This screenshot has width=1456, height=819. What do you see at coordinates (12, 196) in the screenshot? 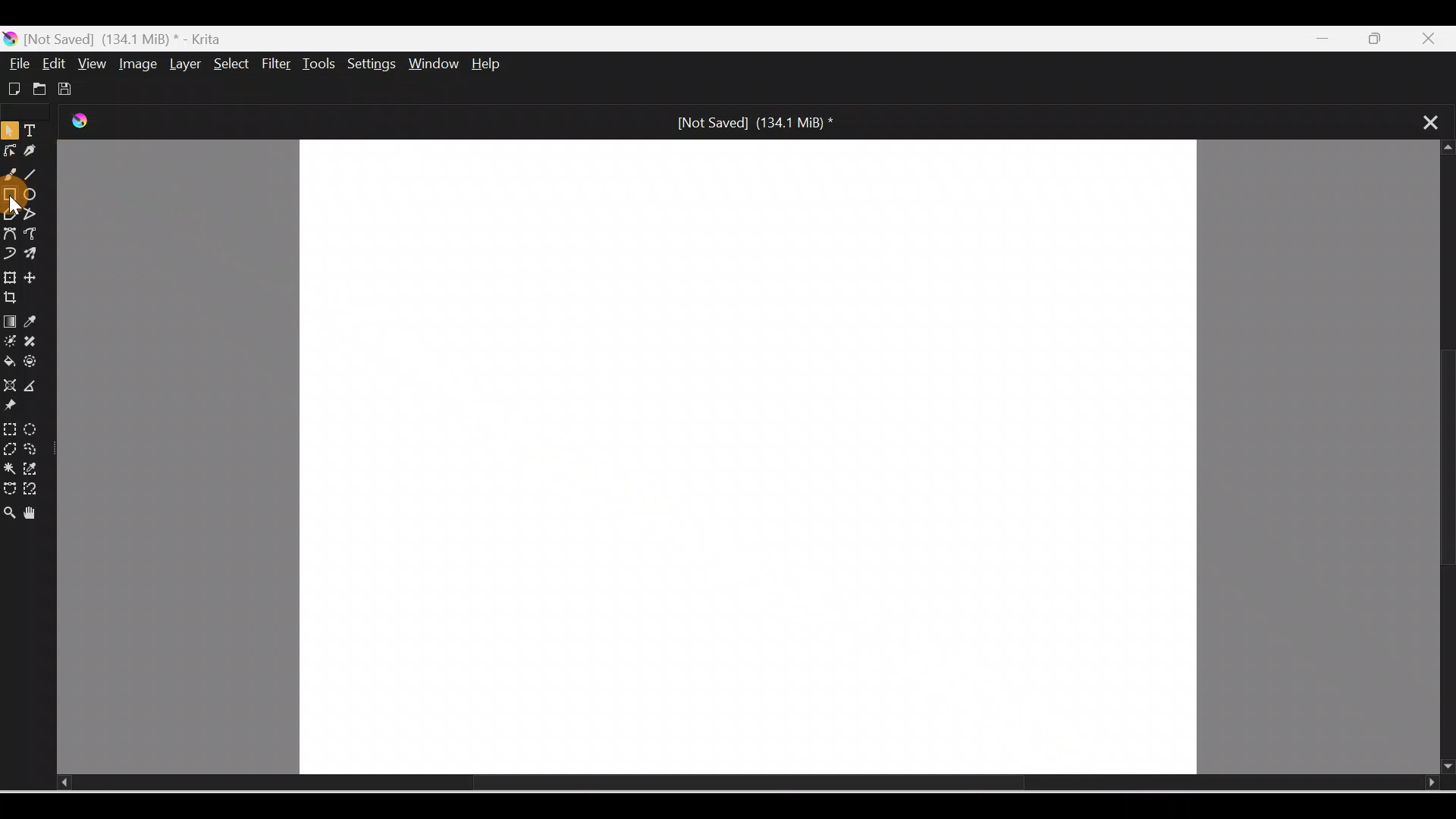
I see `Cursor on rectangle tool` at bounding box center [12, 196].